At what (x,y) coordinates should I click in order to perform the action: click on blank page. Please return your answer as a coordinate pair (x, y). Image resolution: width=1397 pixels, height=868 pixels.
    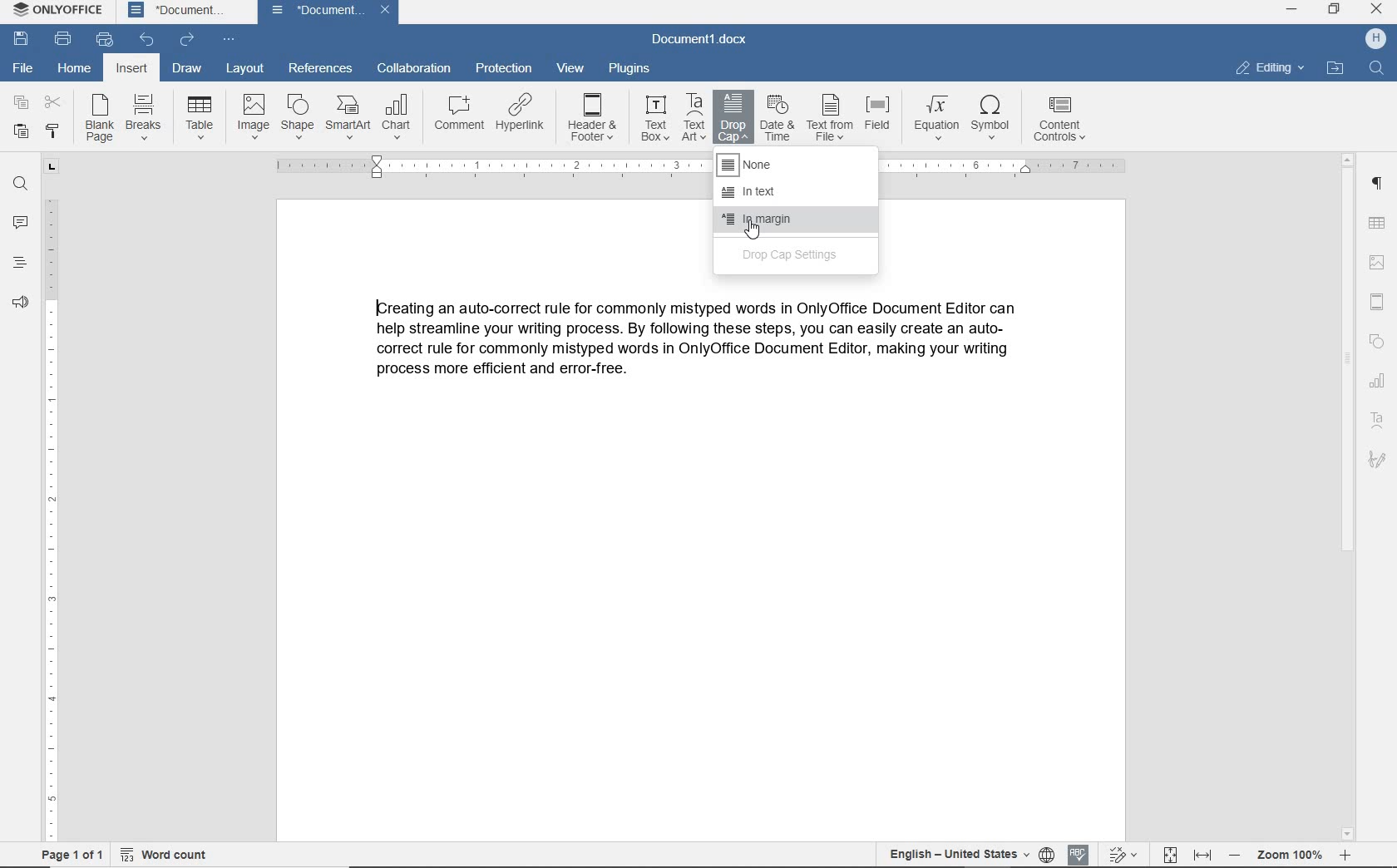
    Looking at the image, I should click on (99, 118).